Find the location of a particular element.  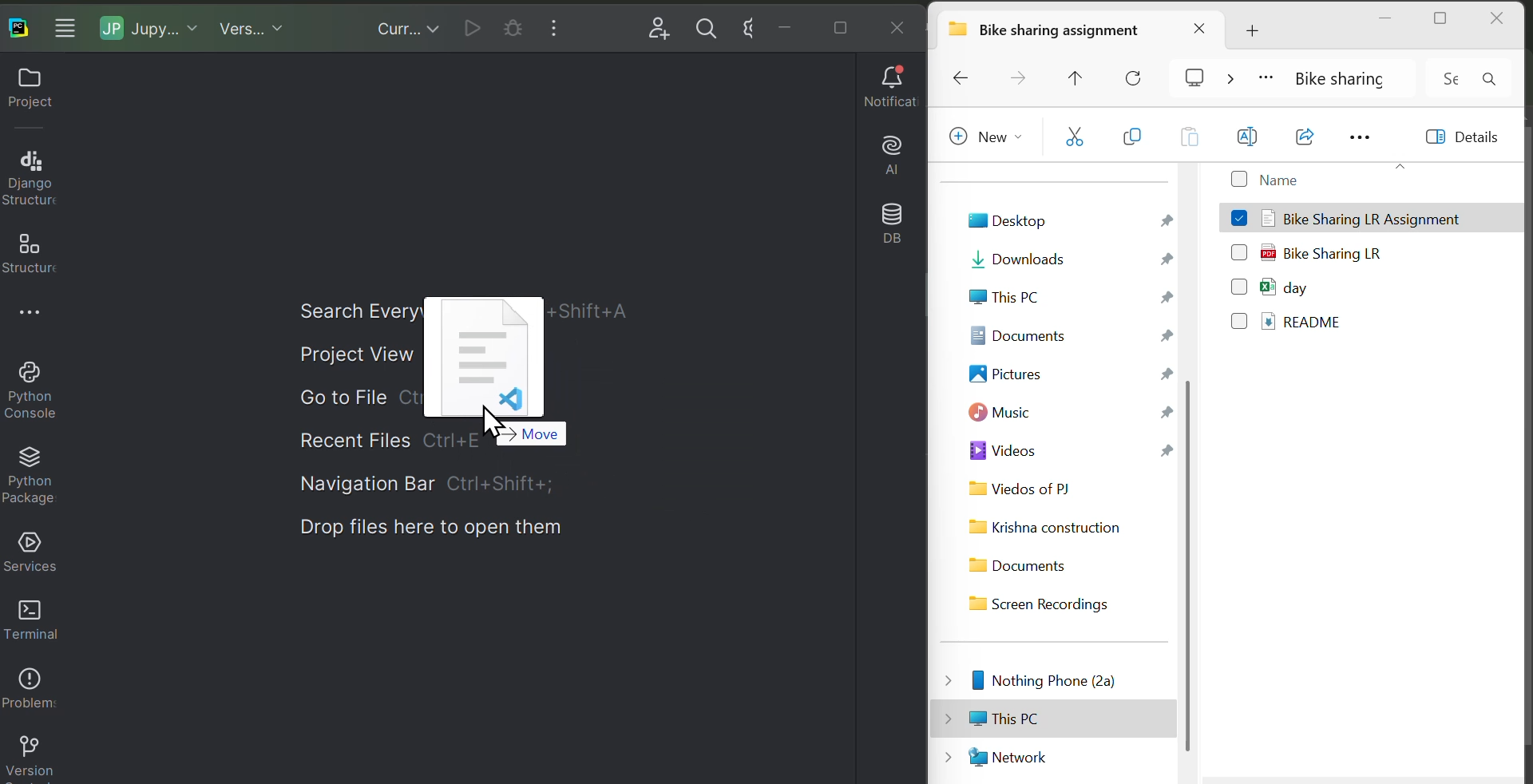

More options is located at coordinates (30, 316).